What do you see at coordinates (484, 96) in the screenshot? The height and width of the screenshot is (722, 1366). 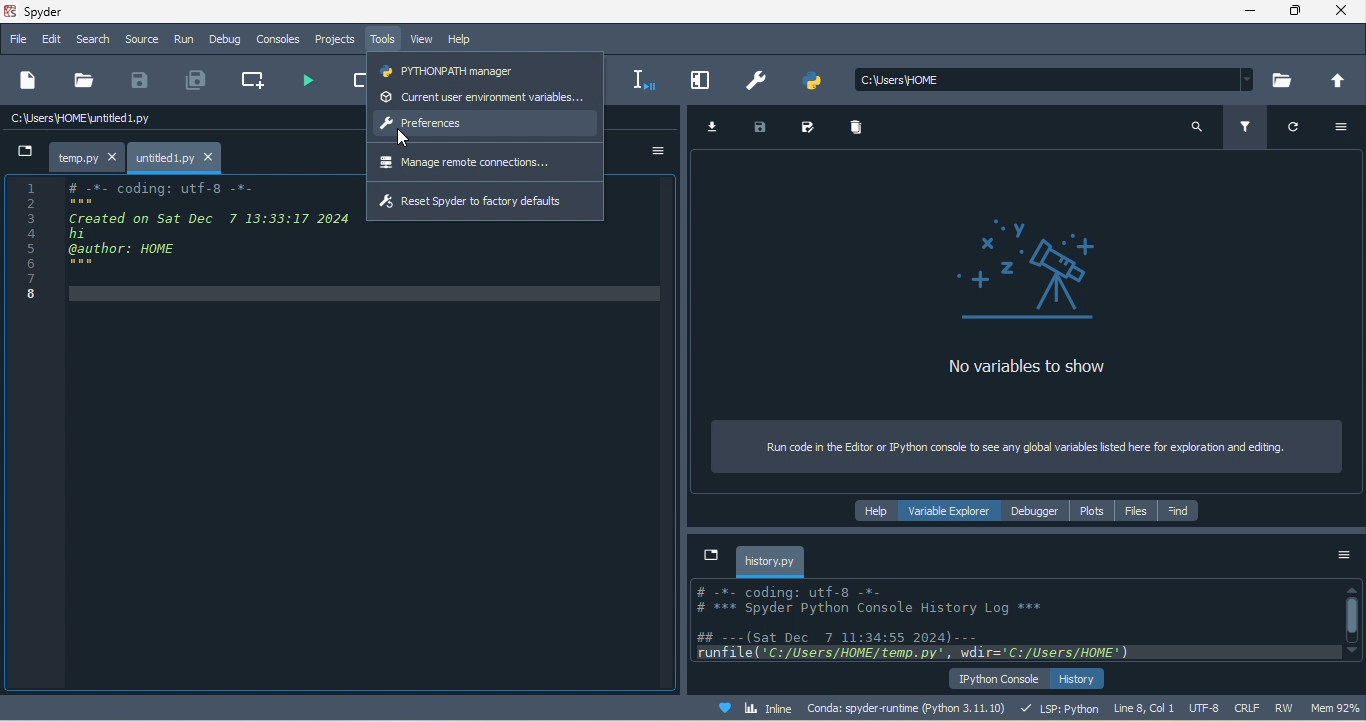 I see `current user` at bounding box center [484, 96].